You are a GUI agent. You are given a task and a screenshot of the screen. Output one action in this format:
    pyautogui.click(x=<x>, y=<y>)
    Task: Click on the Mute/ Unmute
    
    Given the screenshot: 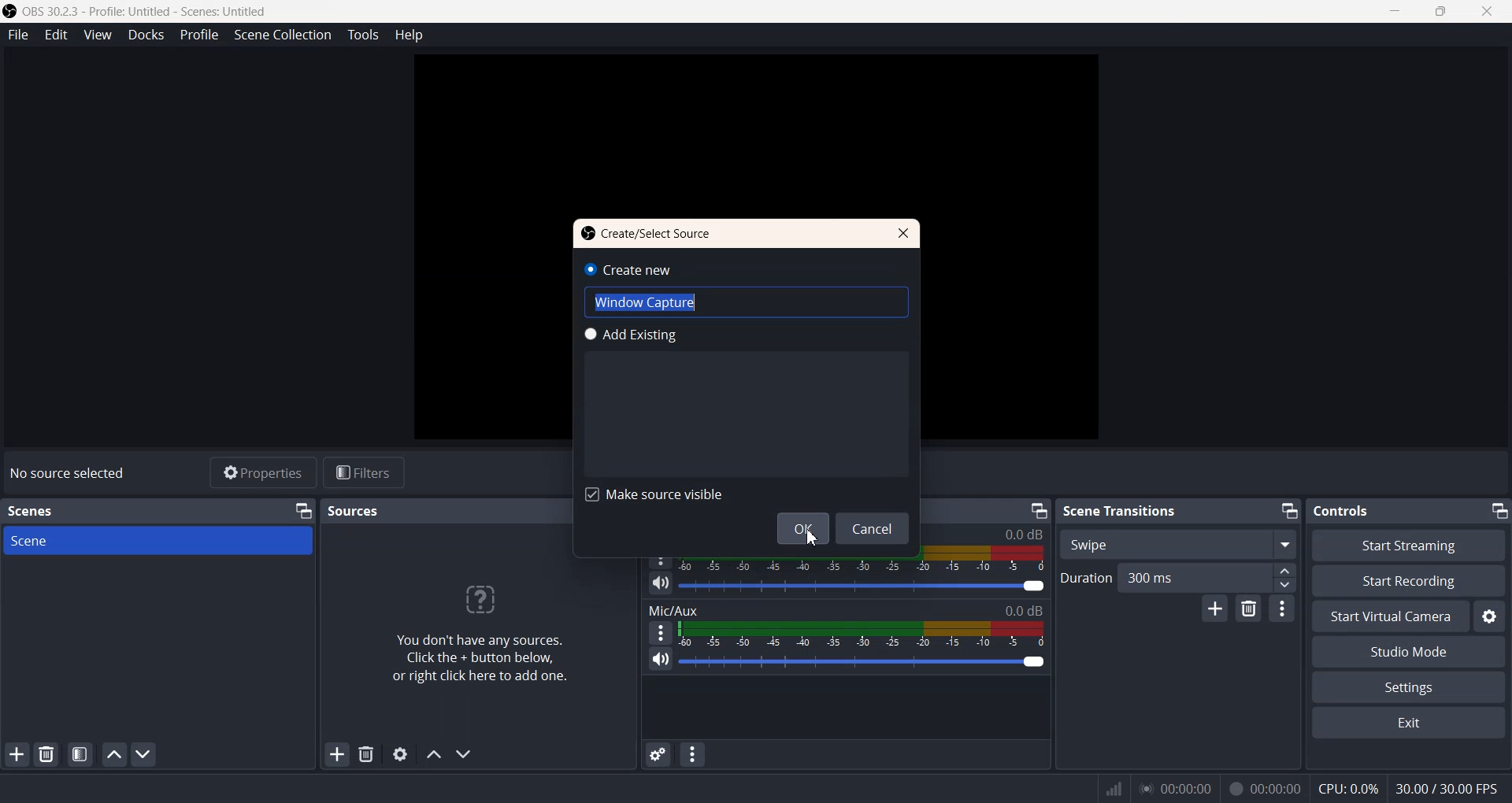 What is the action you would take?
    pyautogui.click(x=660, y=659)
    